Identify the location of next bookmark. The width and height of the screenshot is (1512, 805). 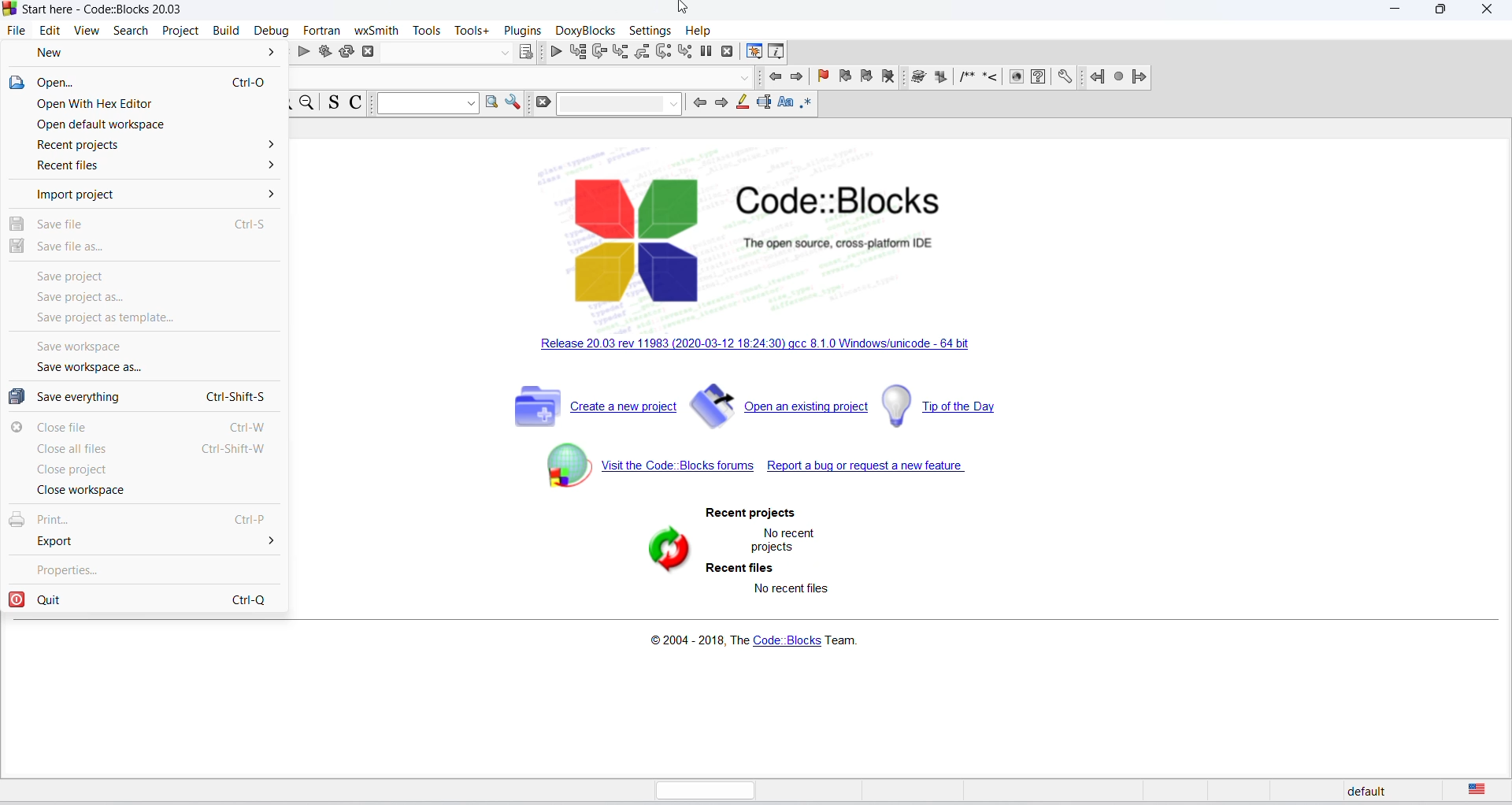
(867, 78).